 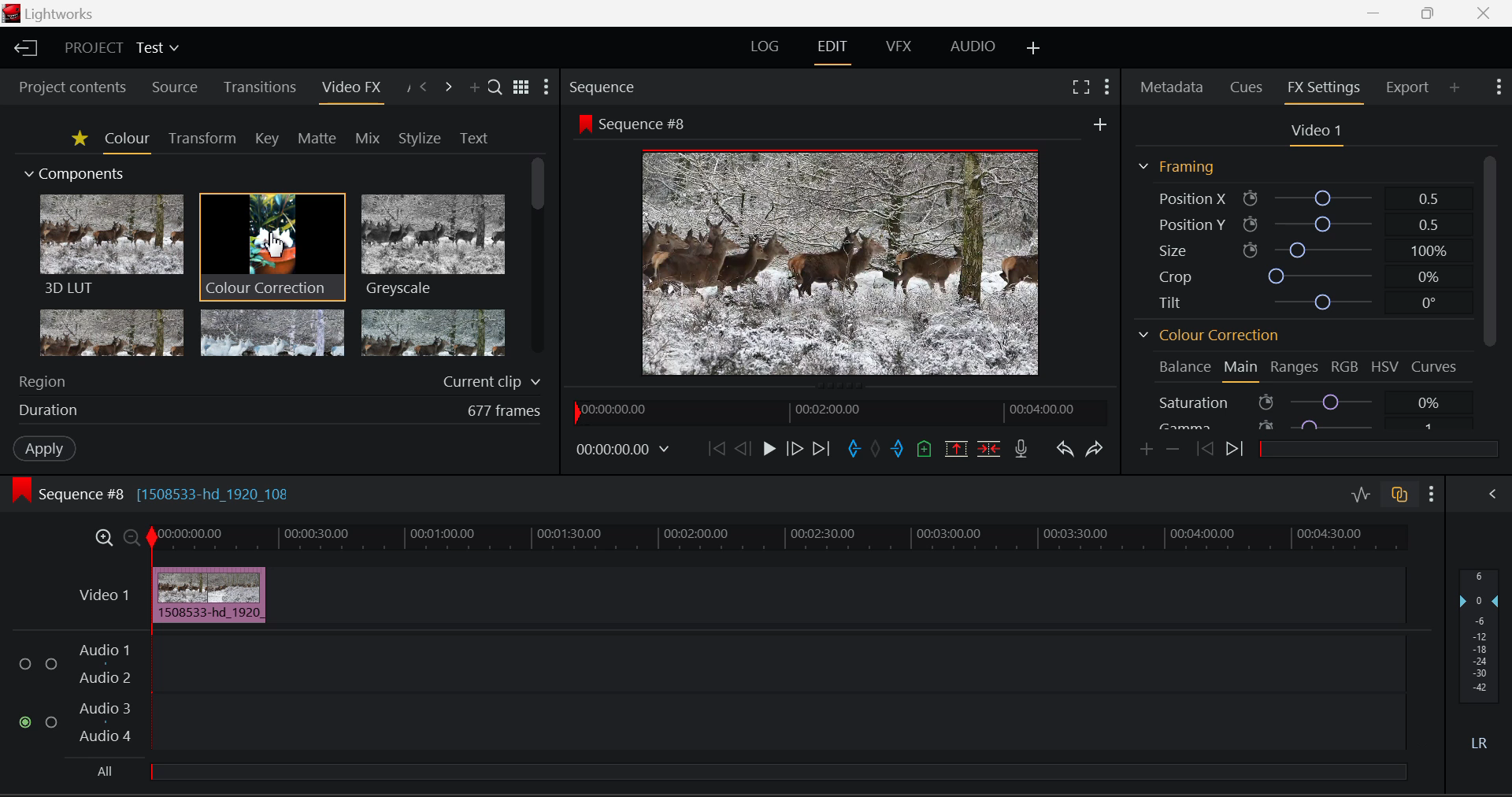 What do you see at coordinates (1171, 451) in the screenshot?
I see `Remove keyframe` at bounding box center [1171, 451].